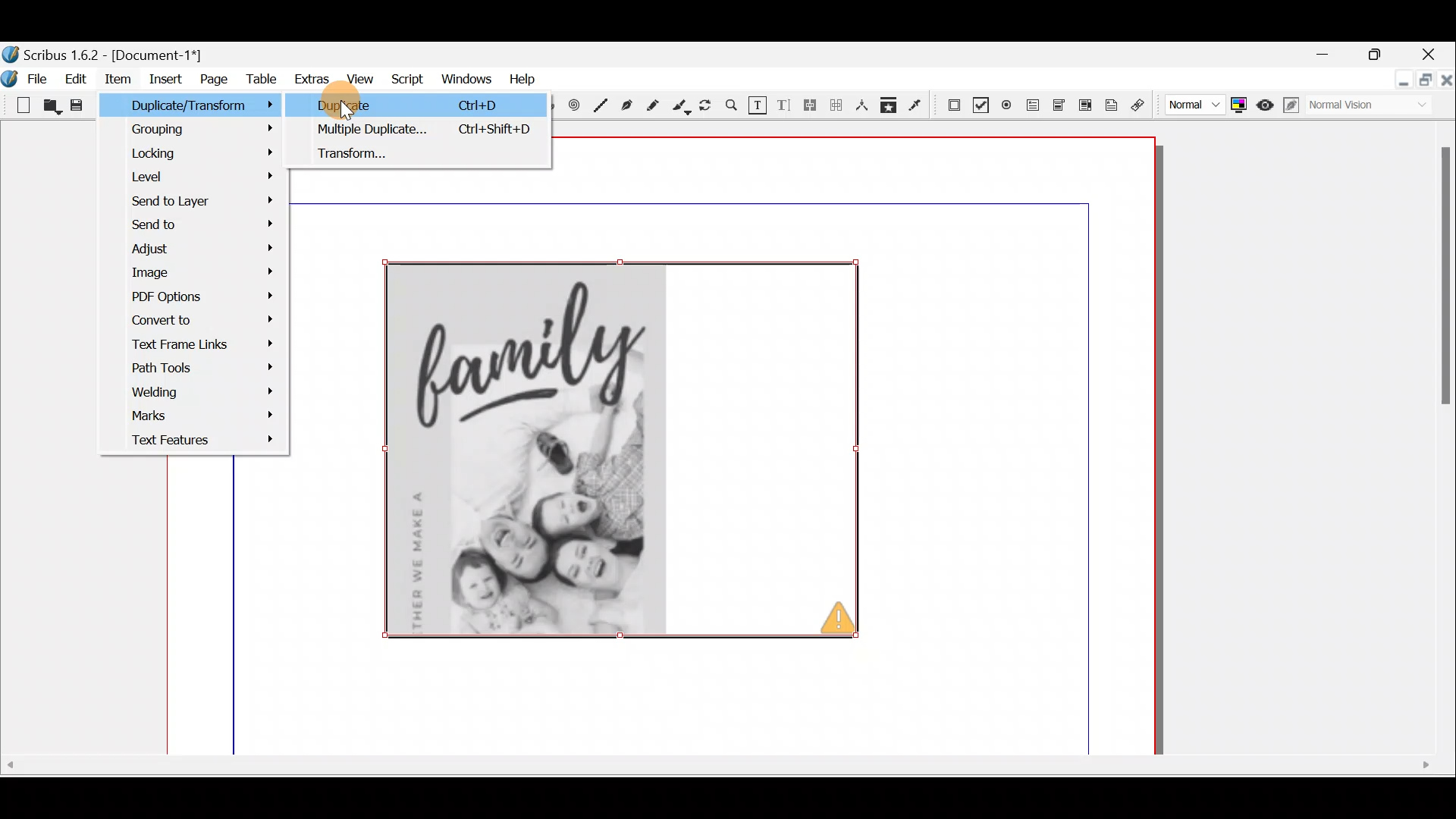 This screenshot has height=819, width=1456. Describe the element at coordinates (1056, 106) in the screenshot. I see `PDF combo box` at that location.